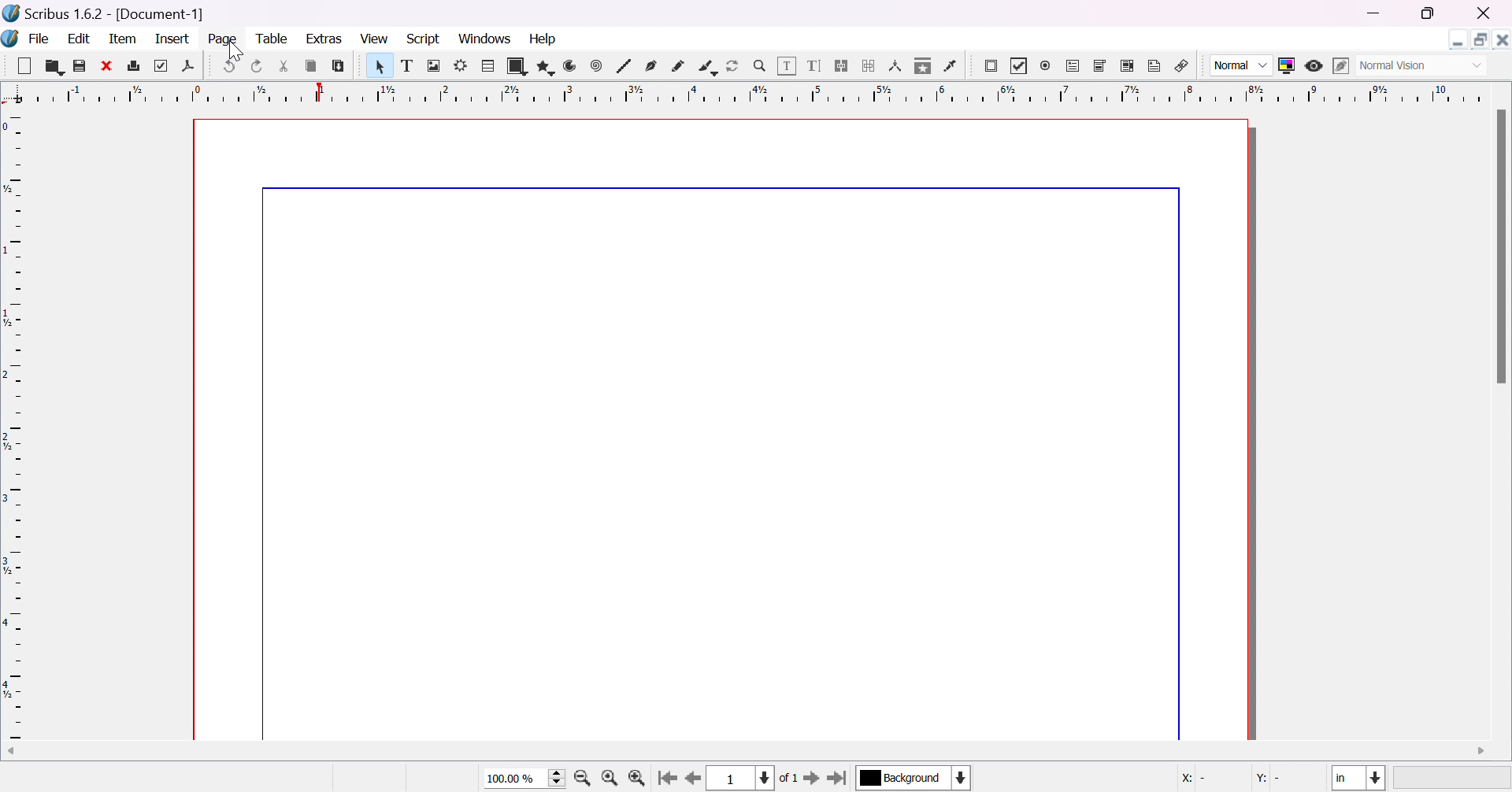 The image size is (1512, 792). What do you see at coordinates (962, 777) in the screenshot?
I see `select current layer` at bounding box center [962, 777].